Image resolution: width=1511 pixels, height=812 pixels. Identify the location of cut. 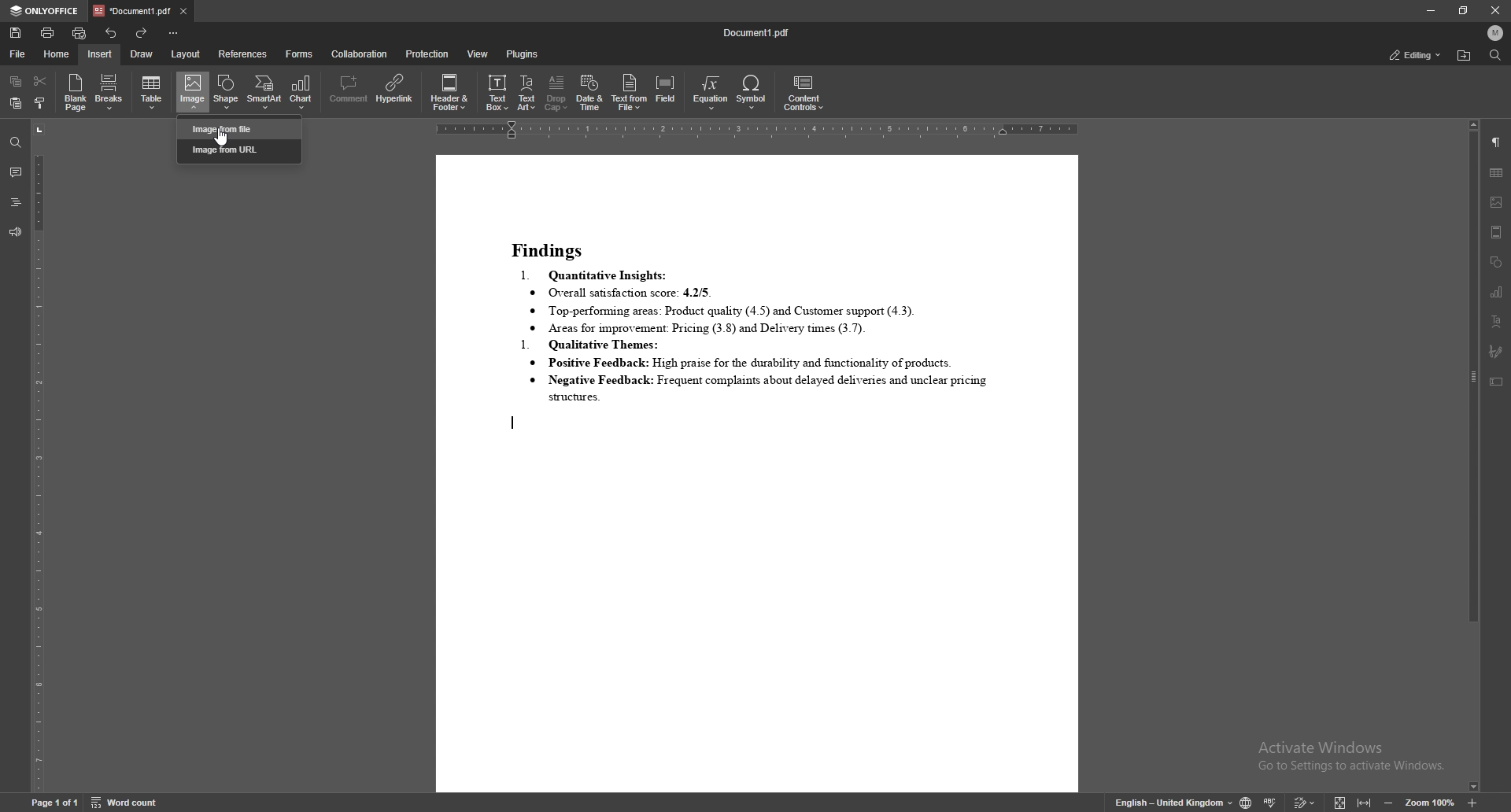
(41, 79).